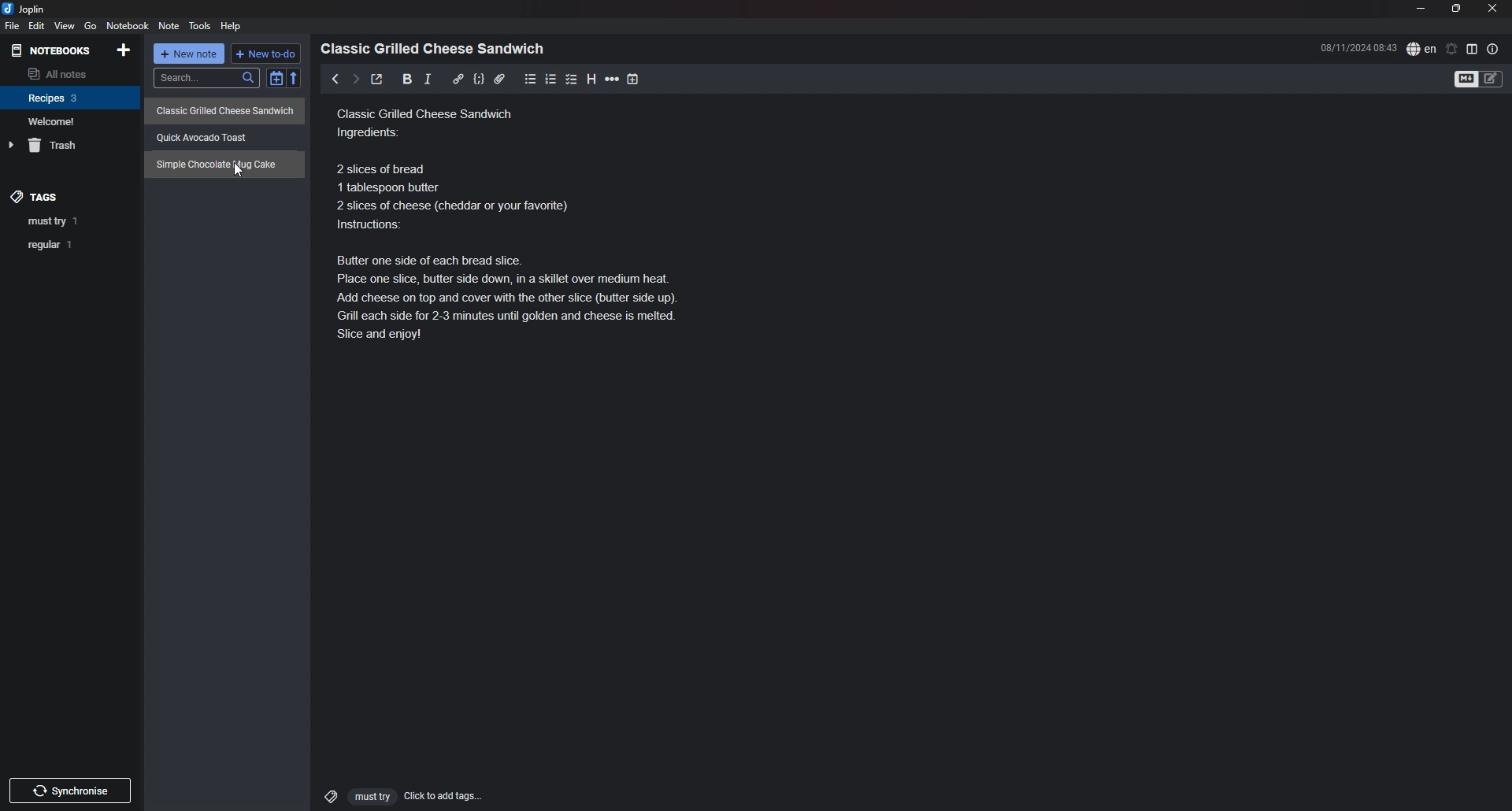  I want to click on reverse sort order, so click(297, 79).